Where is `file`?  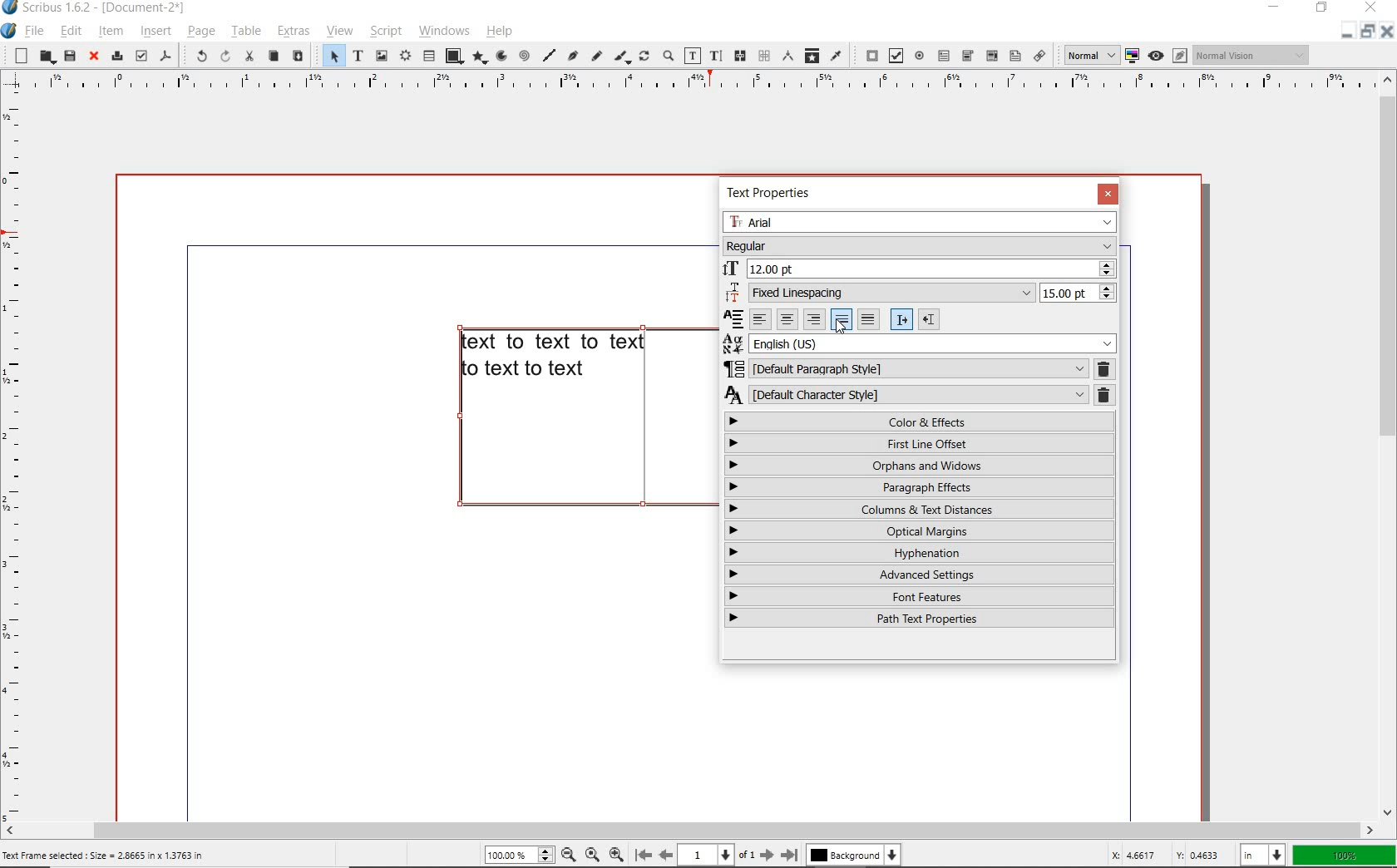
file is located at coordinates (32, 32).